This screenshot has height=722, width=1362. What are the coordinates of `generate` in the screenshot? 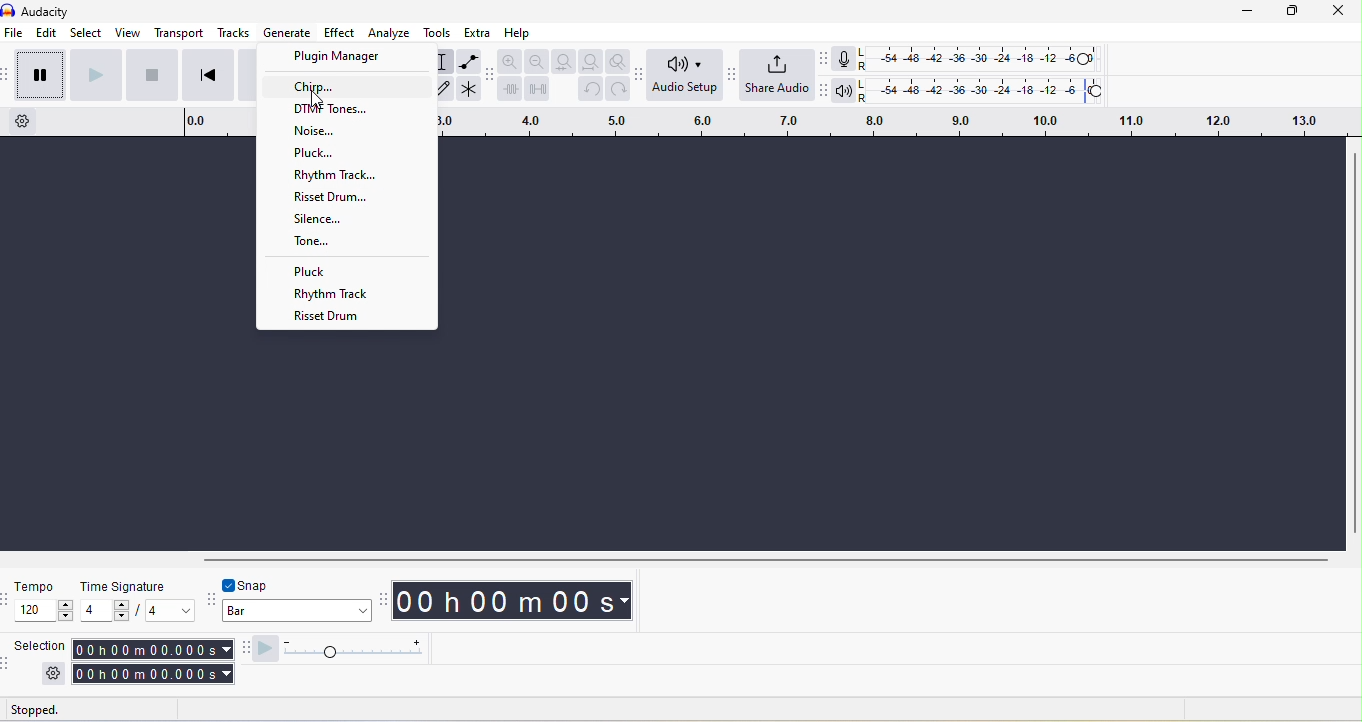 It's located at (286, 34).